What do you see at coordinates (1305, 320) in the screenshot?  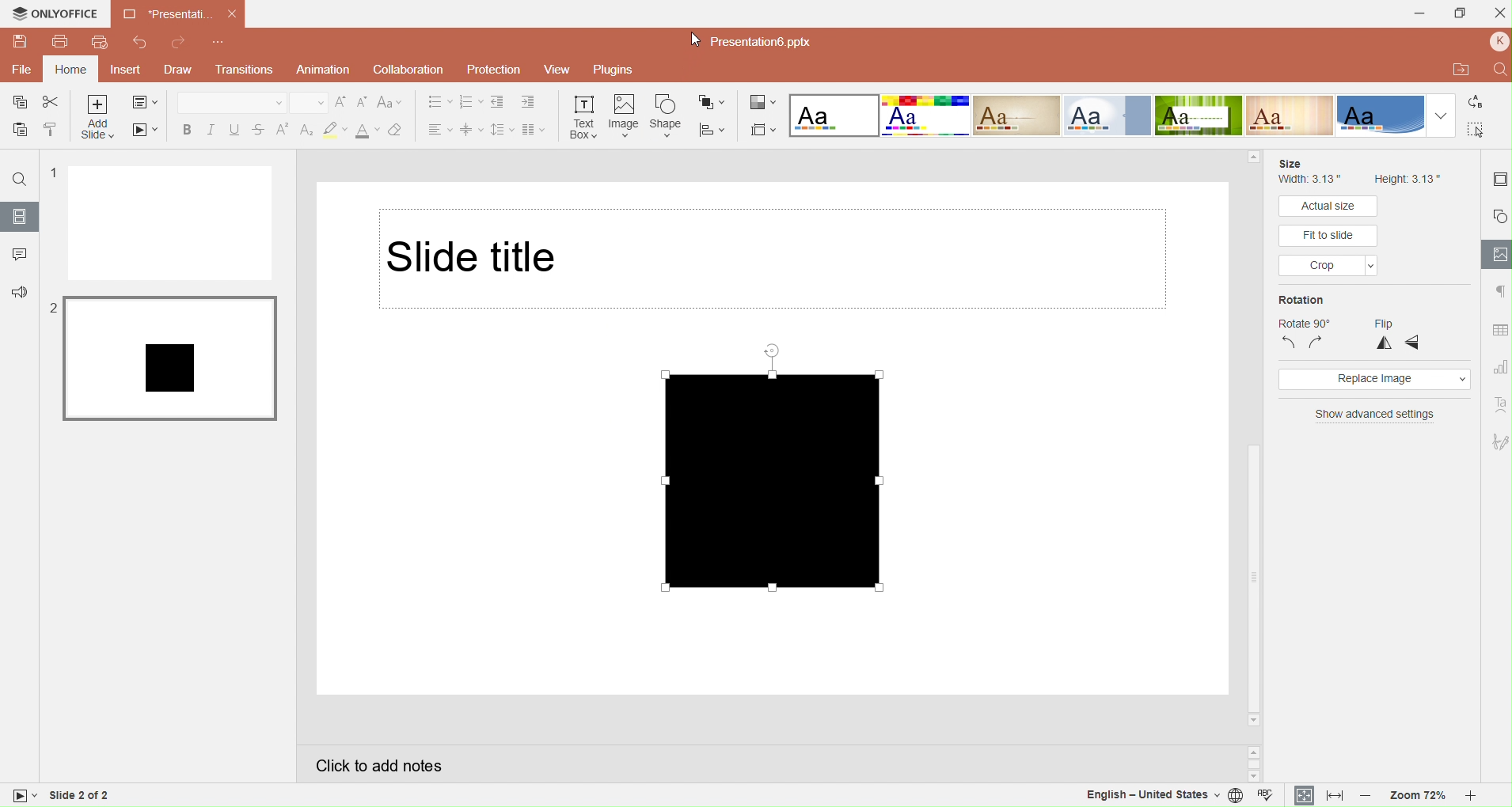 I see `rotate 90` at bounding box center [1305, 320].